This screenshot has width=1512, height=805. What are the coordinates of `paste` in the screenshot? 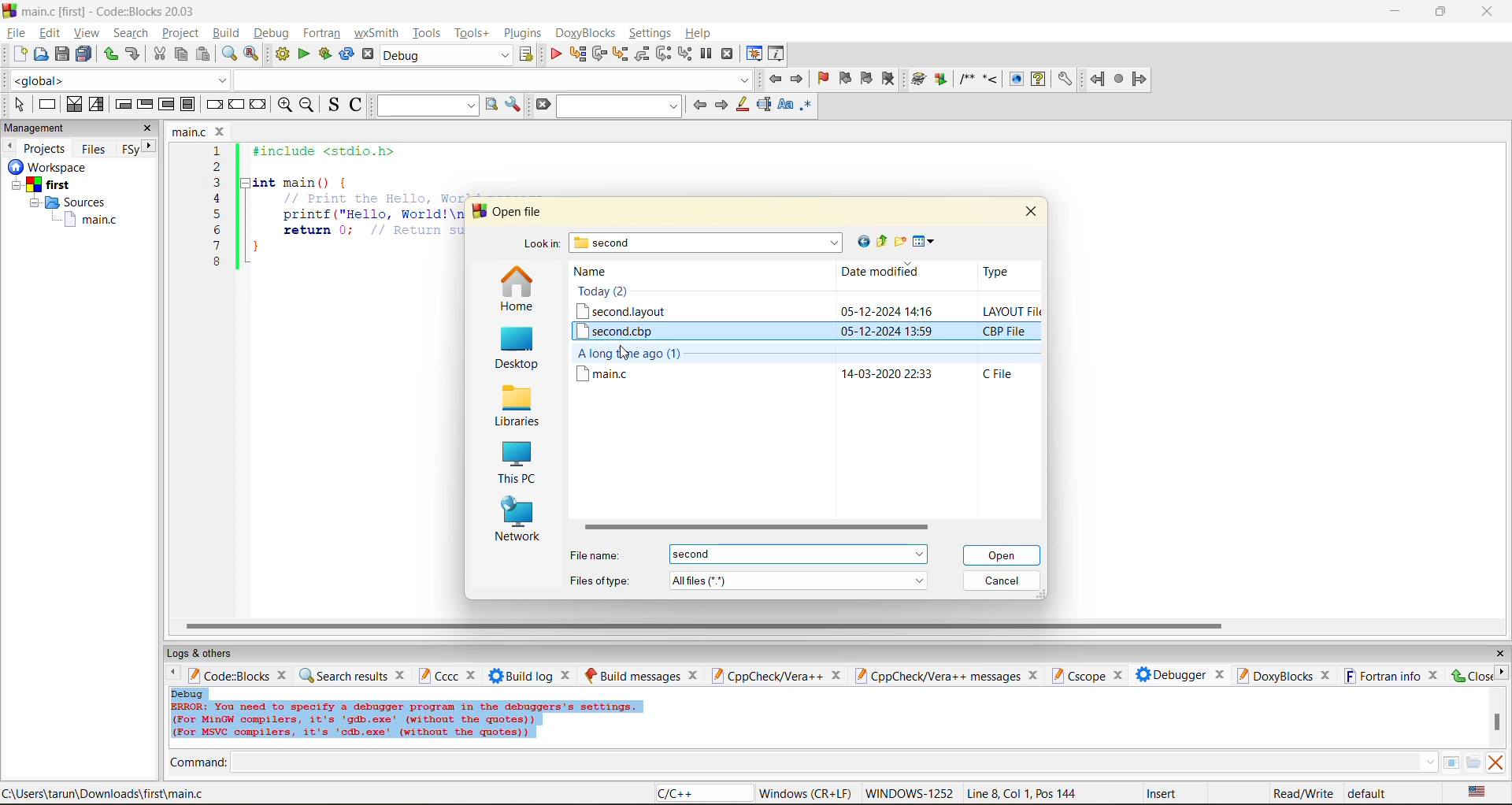 It's located at (203, 54).